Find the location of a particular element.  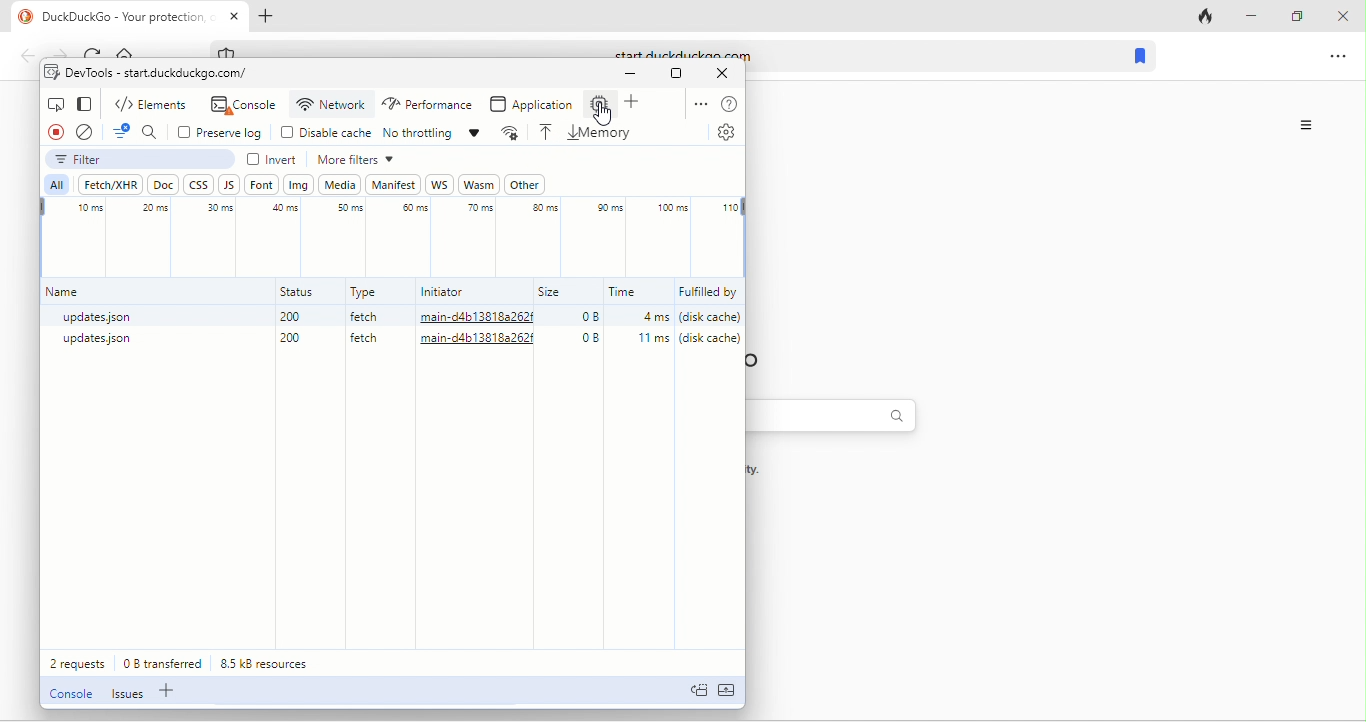

memory is located at coordinates (612, 133).